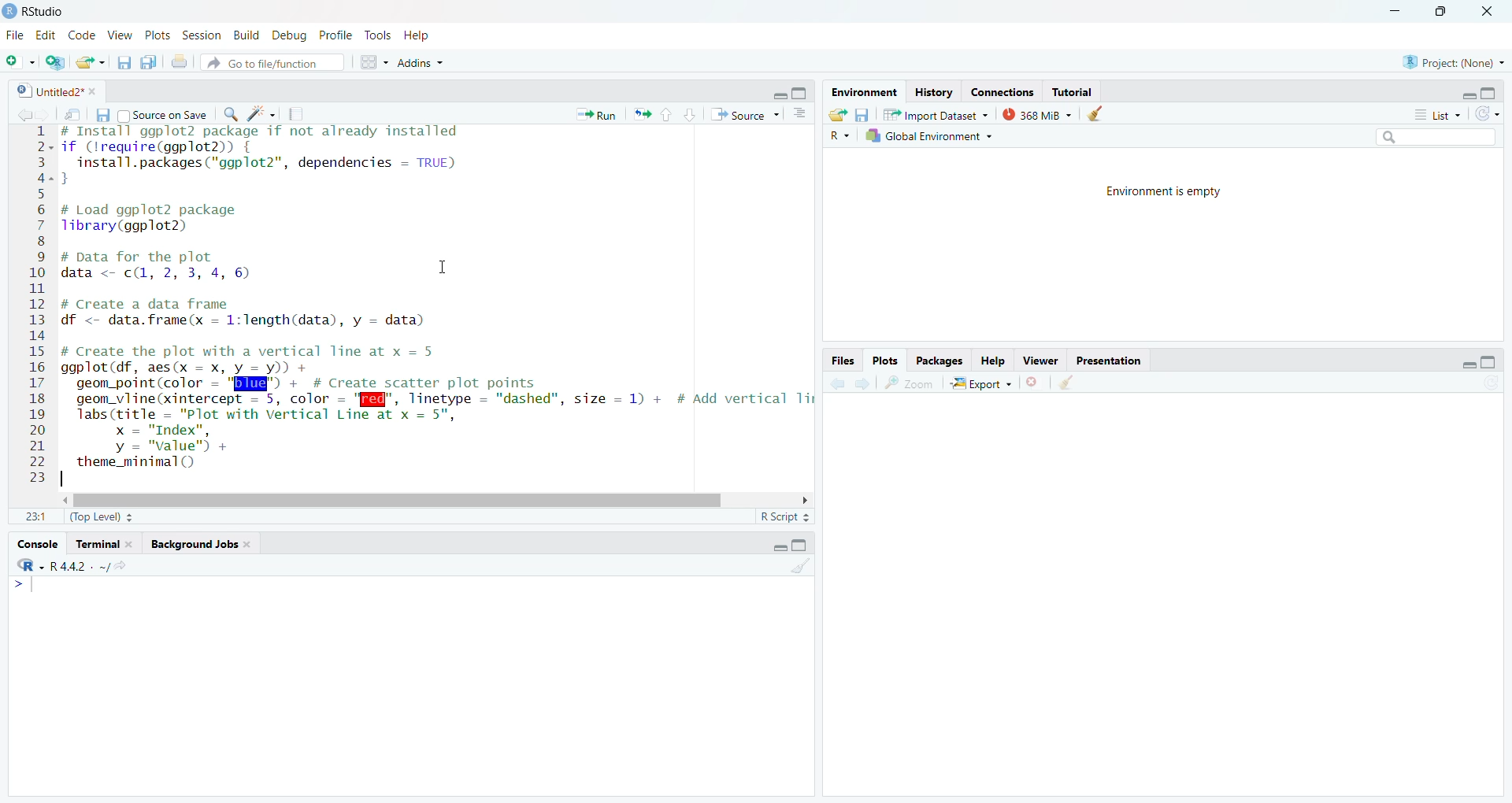 The width and height of the screenshot is (1512, 803). Describe the element at coordinates (56, 62) in the screenshot. I see `add script` at that location.